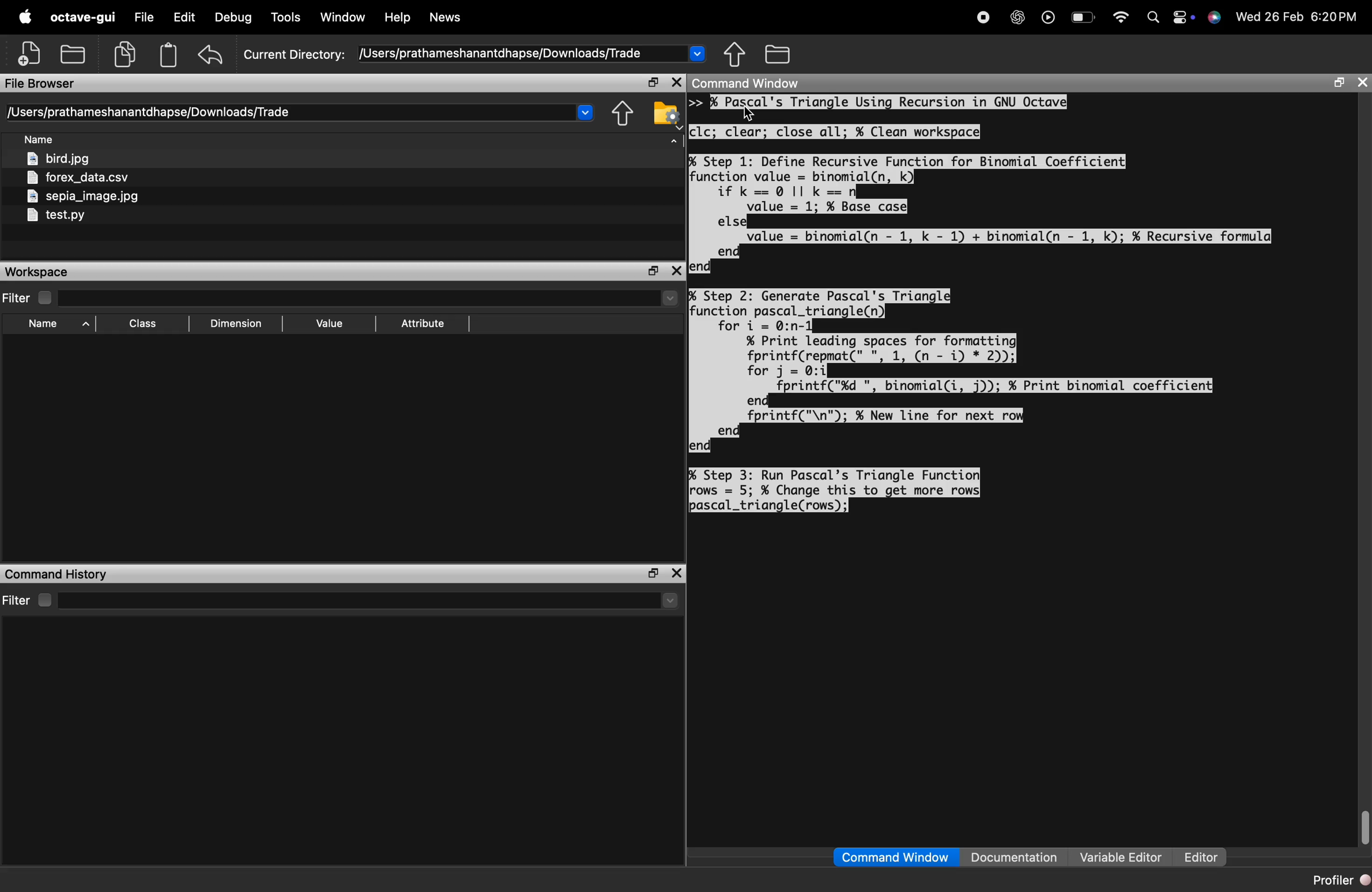 The height and width of the screenshot is (892, 1372). What do you see at coordinates (1017, 17) in the screenshot?
I see `chatgpt` at bounding box center [1017, 17].